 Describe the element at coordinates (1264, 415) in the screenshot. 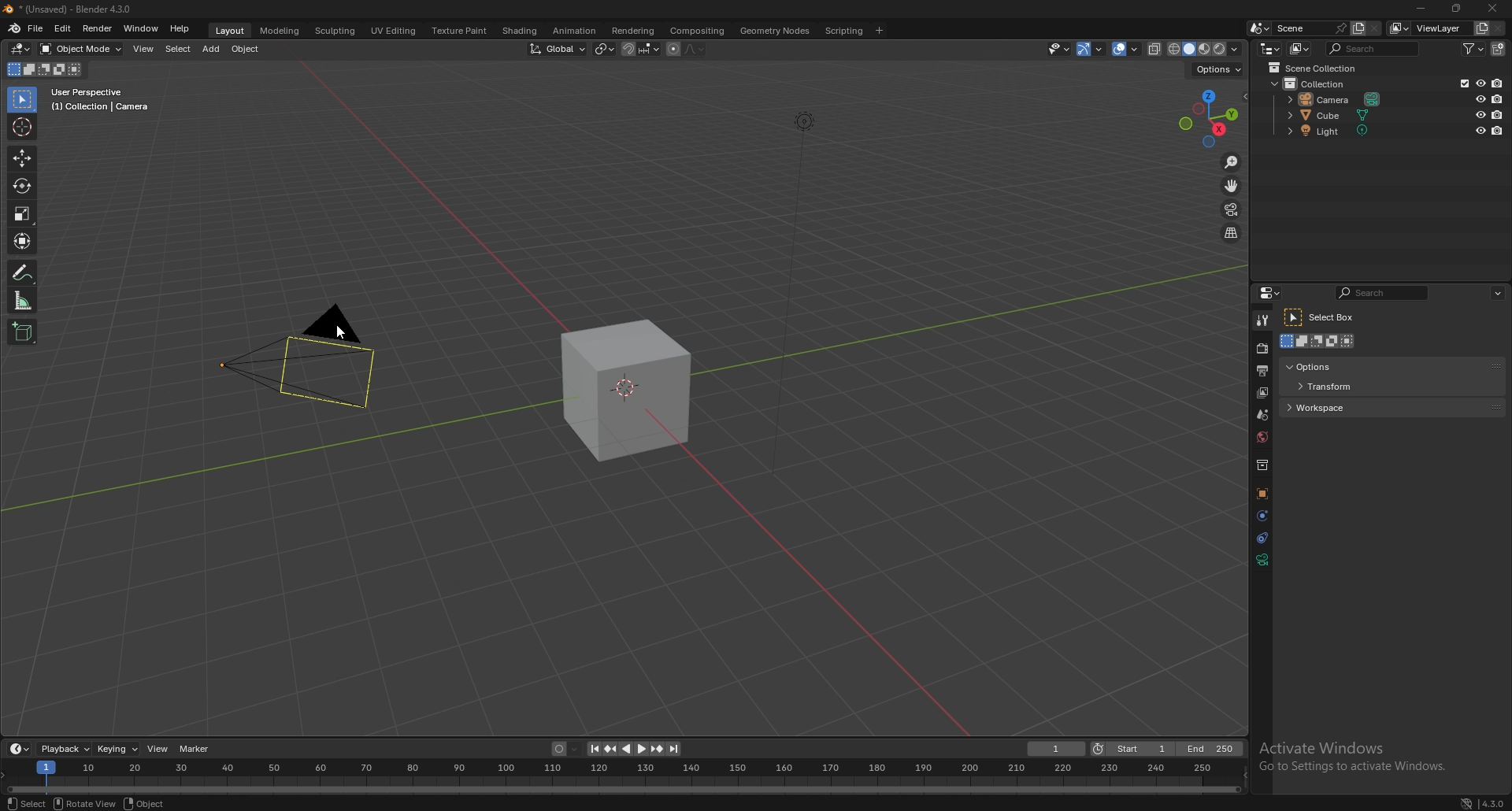

I see `scene` at that location.